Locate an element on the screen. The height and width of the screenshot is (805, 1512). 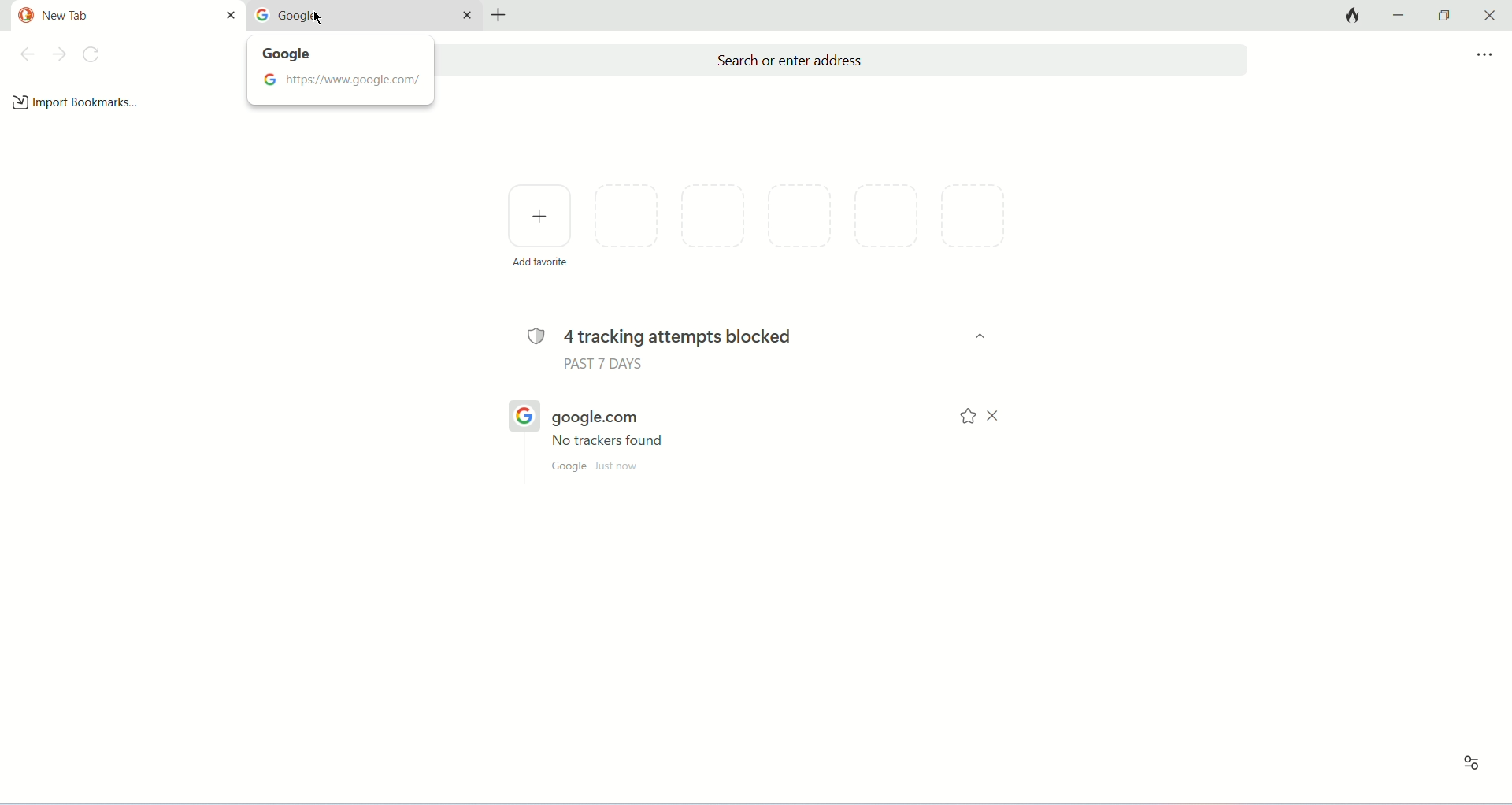
refresh is located at coordinates (95, 57).